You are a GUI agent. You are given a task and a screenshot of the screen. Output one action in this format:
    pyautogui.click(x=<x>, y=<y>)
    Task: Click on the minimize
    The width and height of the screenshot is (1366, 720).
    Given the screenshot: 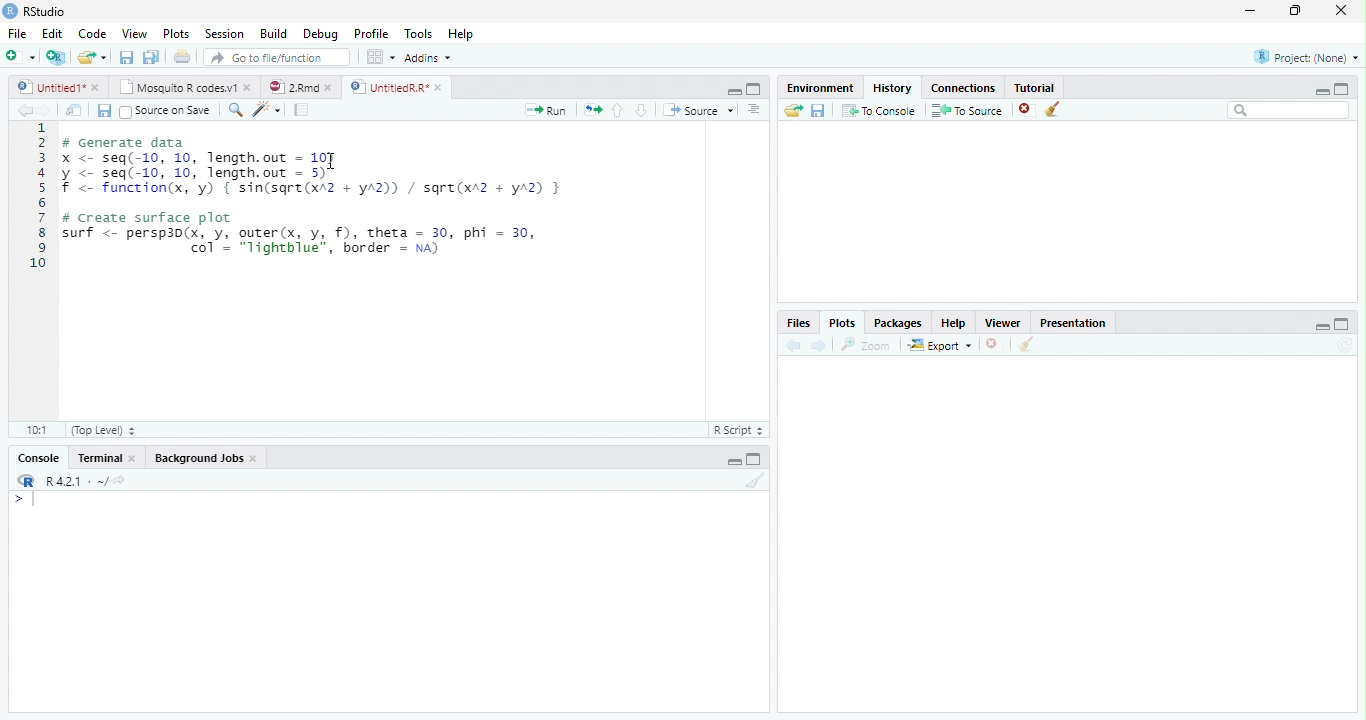 What is the action you would take?
    pyautogui.click(x=1322, y=327)
    